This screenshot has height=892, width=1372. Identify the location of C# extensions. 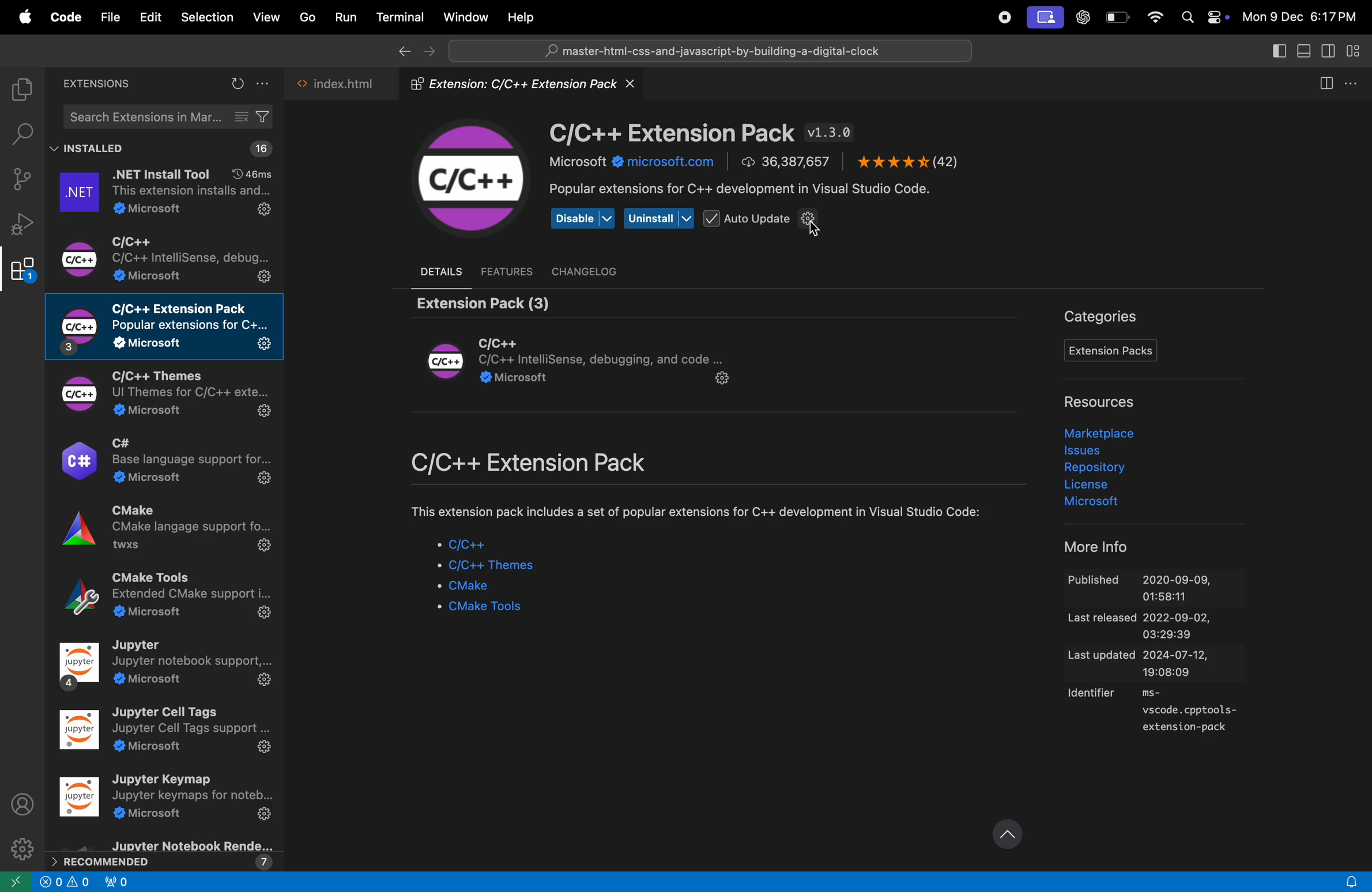
(164, 462).